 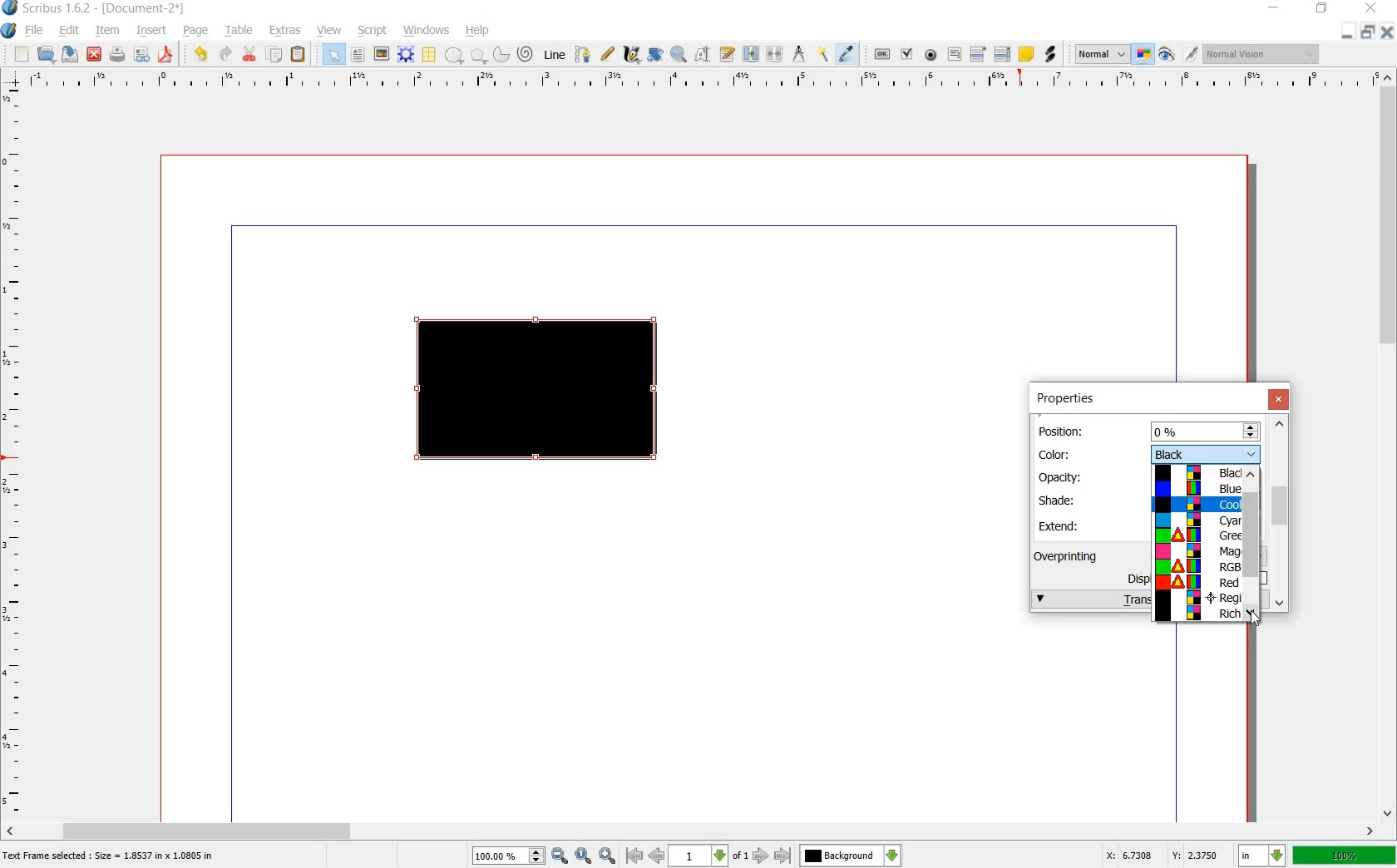 I want to click on scroll bar, so click(x=692, y=830).